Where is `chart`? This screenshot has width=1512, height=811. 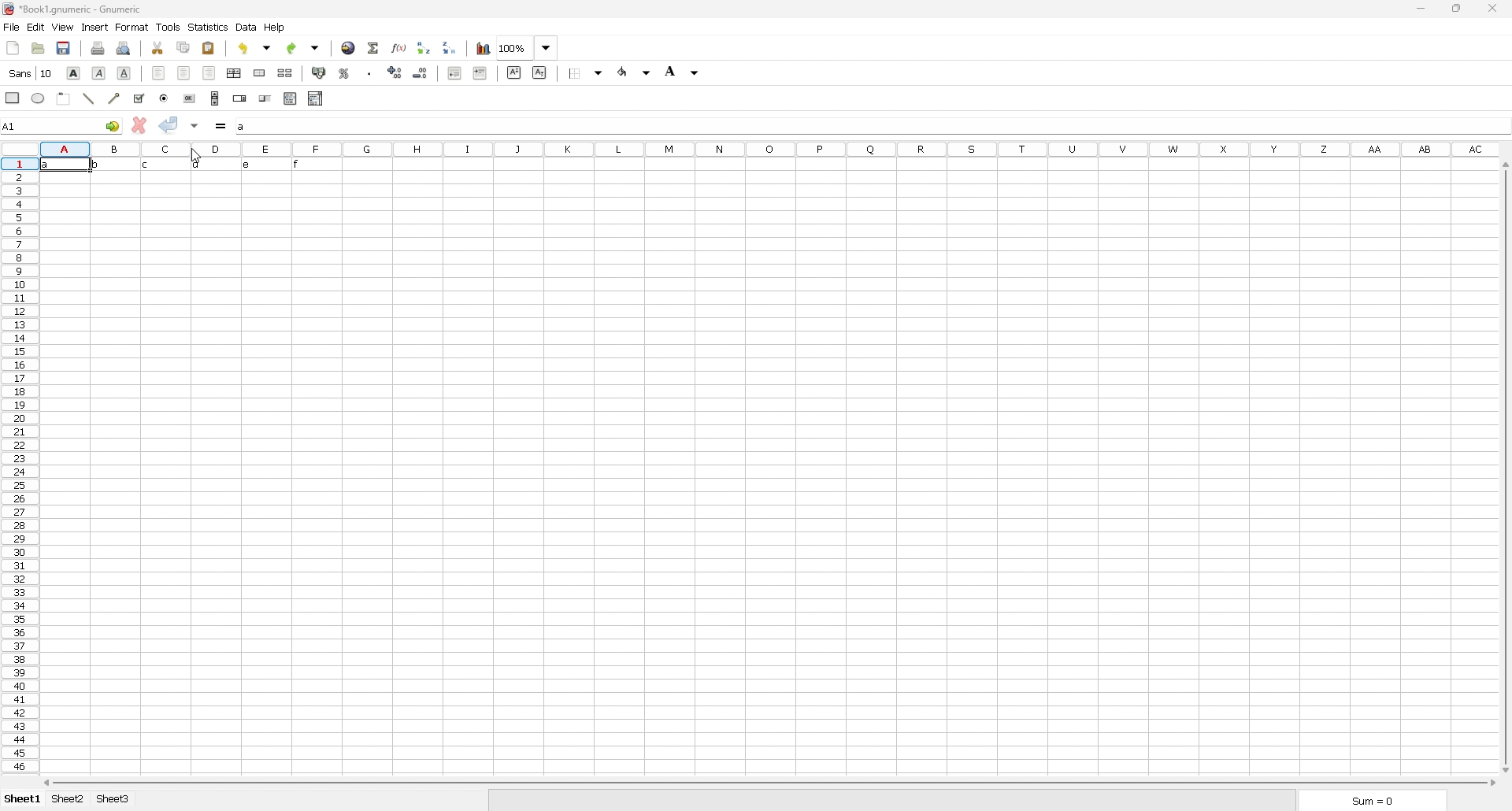
chart is located at coordinates (482, 48).